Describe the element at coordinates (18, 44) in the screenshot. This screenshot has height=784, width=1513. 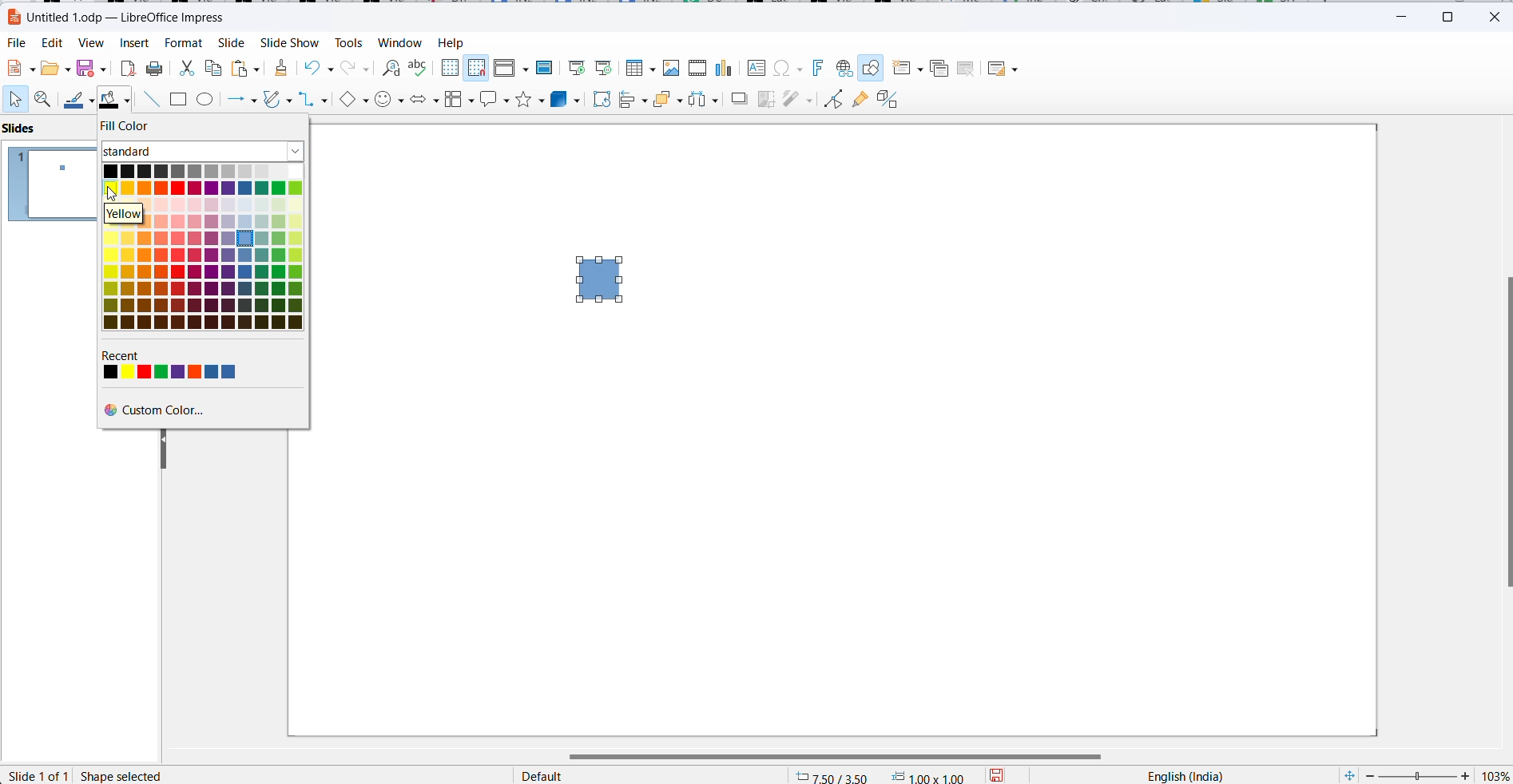
I see `File` at that location.